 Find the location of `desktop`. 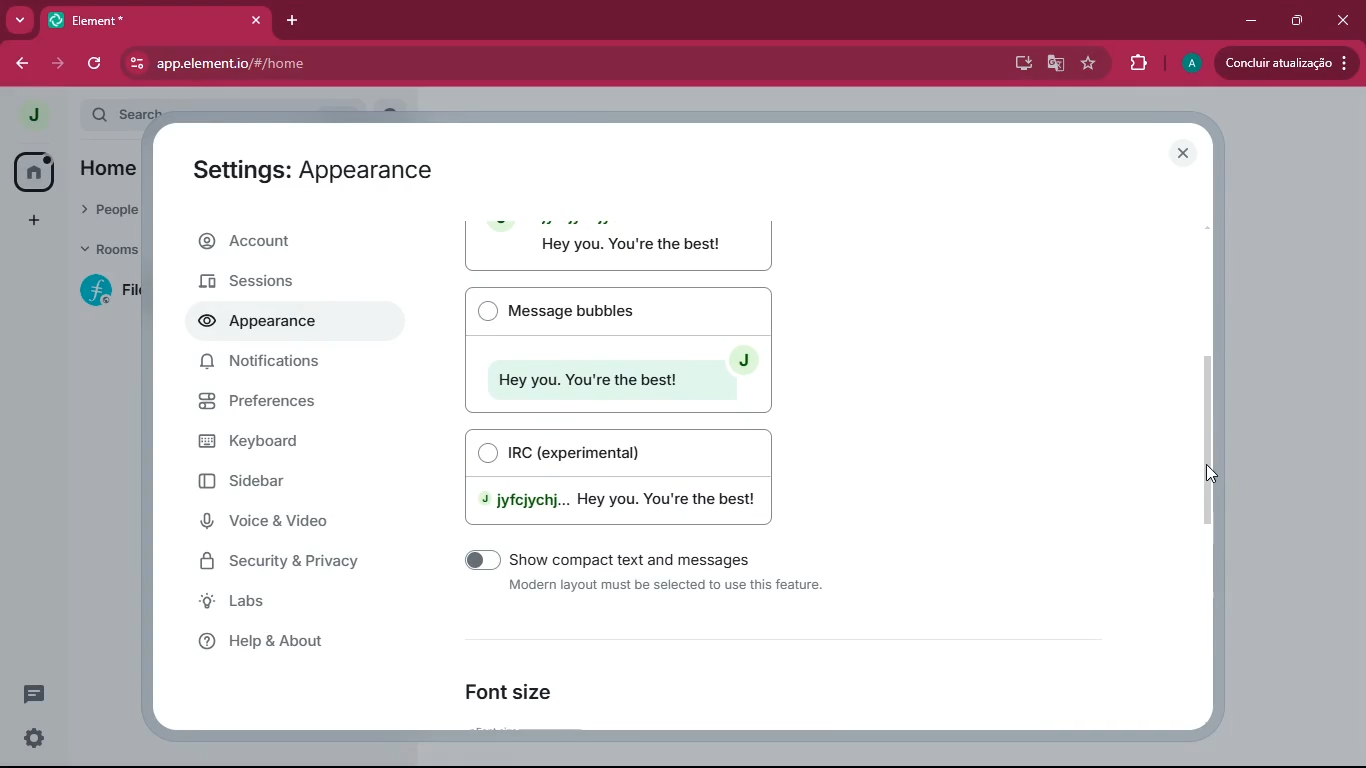

desktop is located at coordinates (1020, 64).